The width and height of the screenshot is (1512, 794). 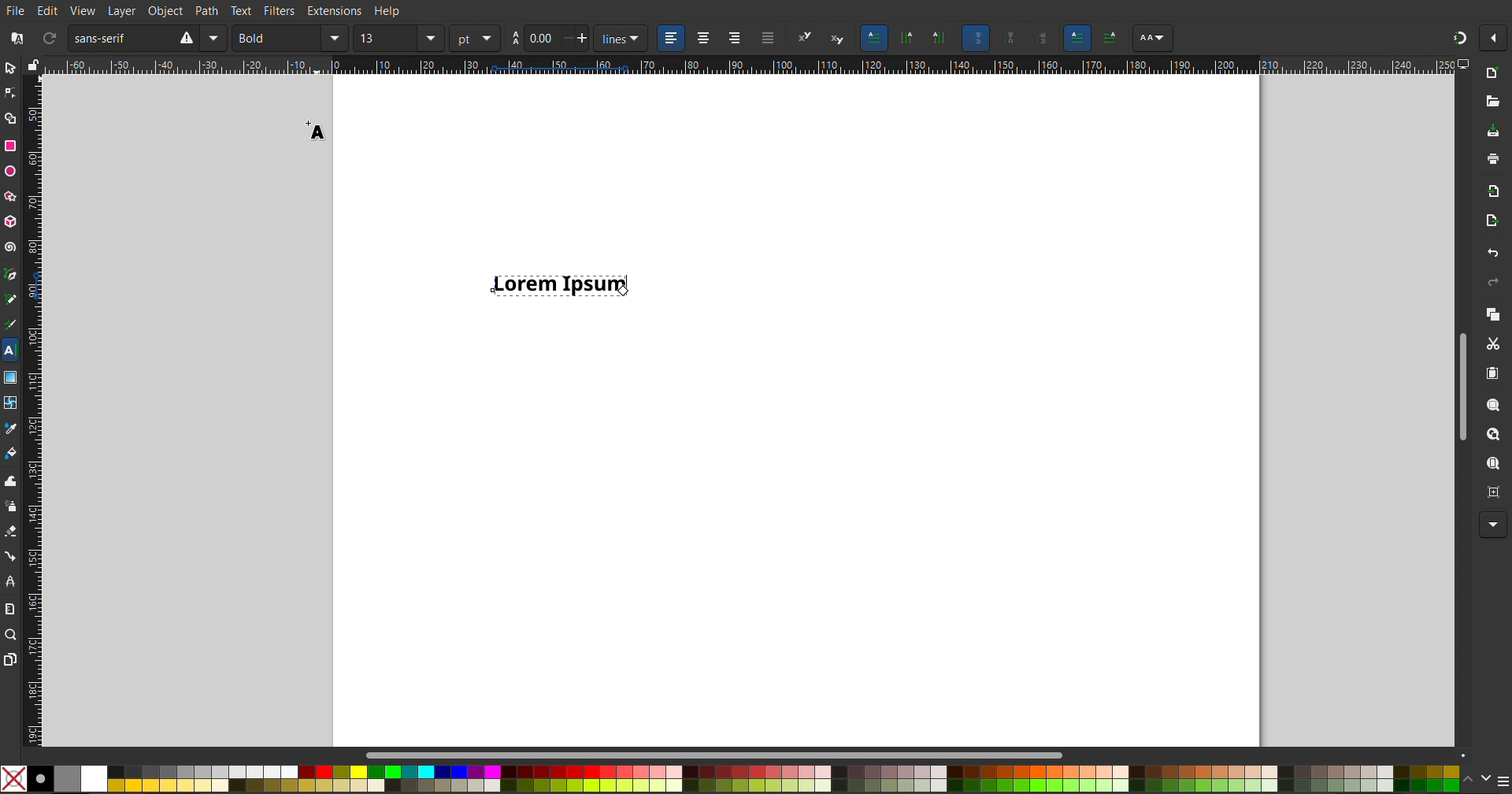 I want to click on Superscript, so click(x=805, y=39).